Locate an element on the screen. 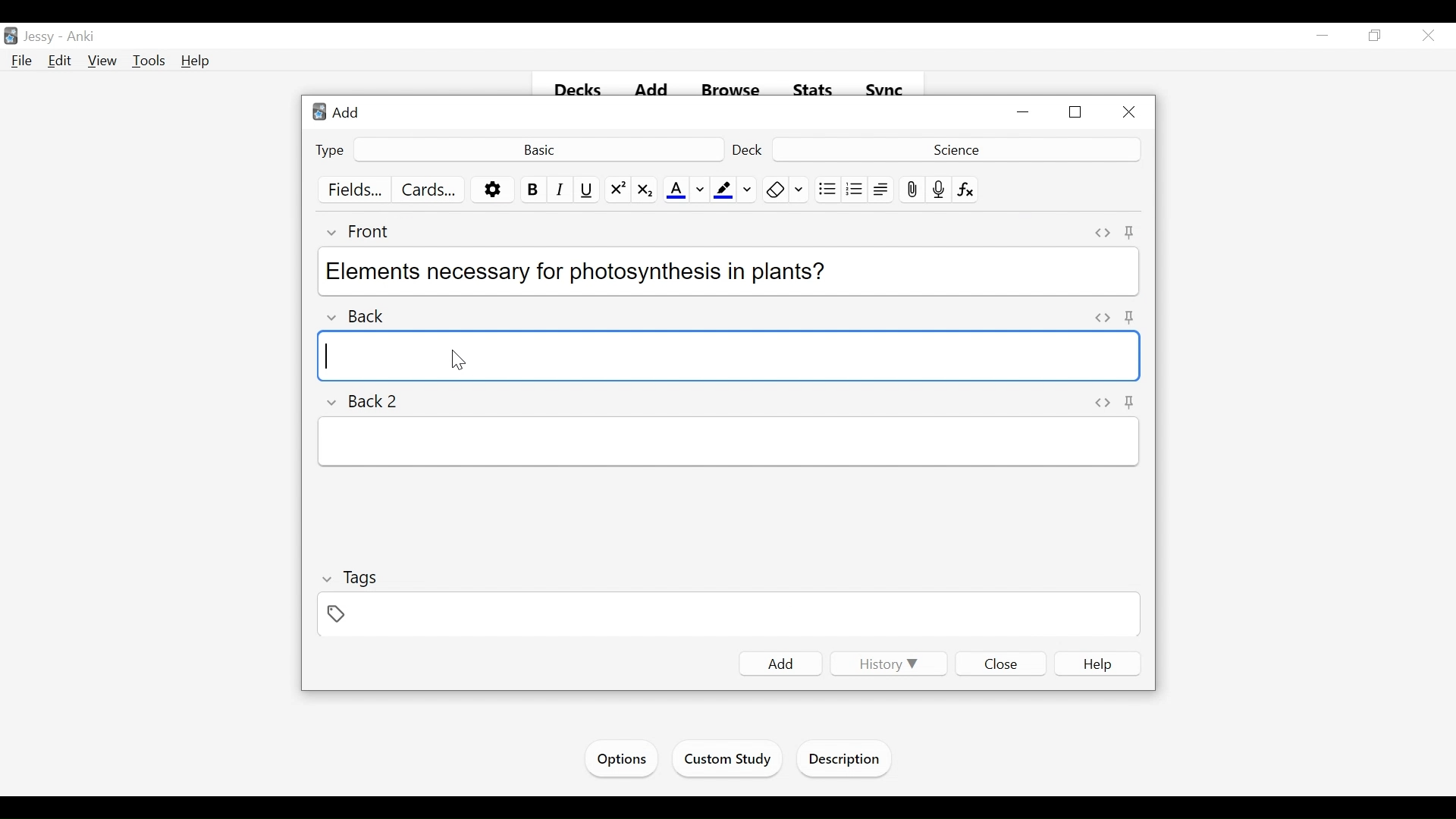  Back is located at coordinates (366, 312).